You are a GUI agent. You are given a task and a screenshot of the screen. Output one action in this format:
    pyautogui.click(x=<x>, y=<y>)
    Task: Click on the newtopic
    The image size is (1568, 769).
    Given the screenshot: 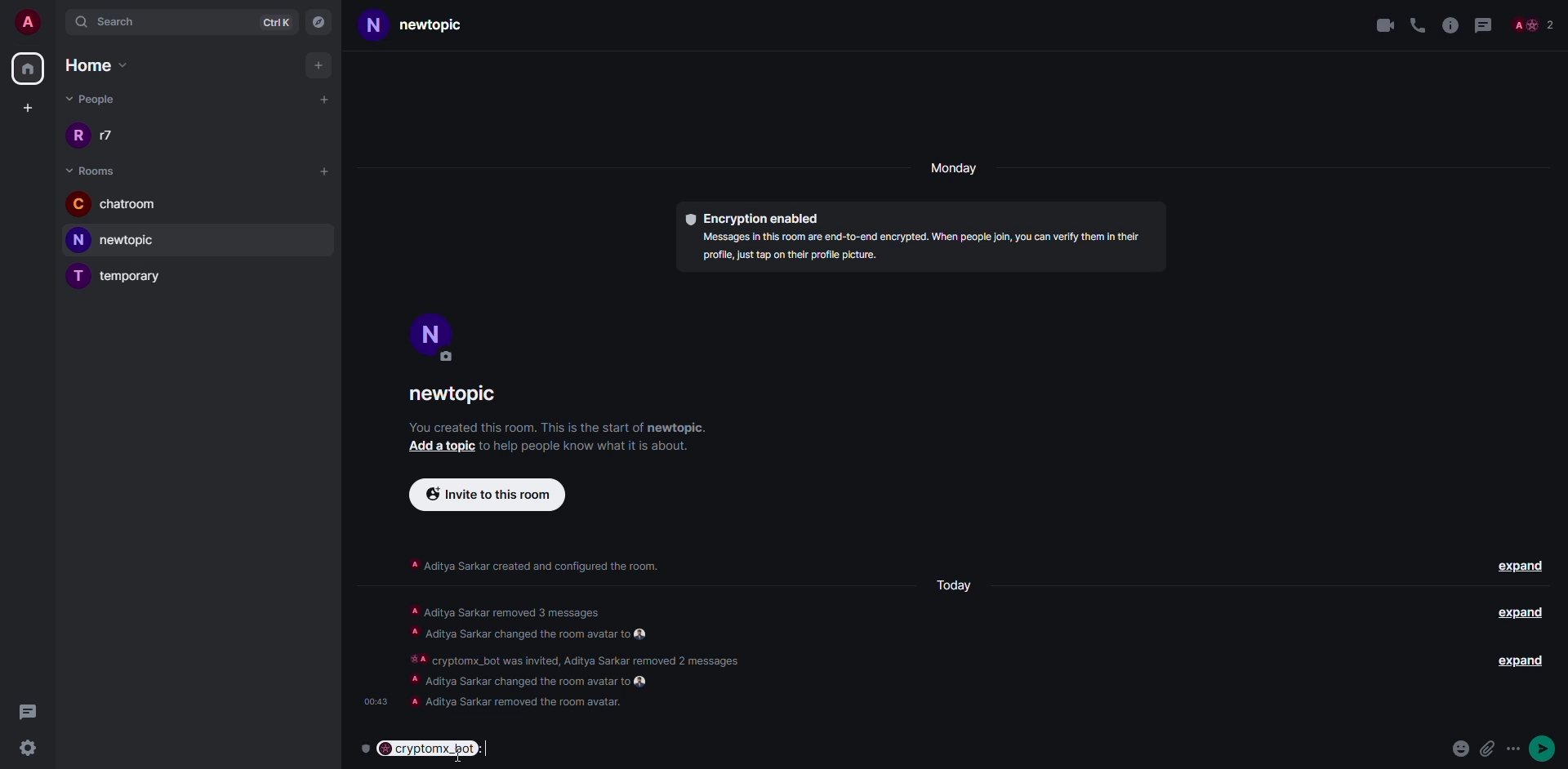 What is the action you would take?
    pyautogui.click(x=434, y=26)
    